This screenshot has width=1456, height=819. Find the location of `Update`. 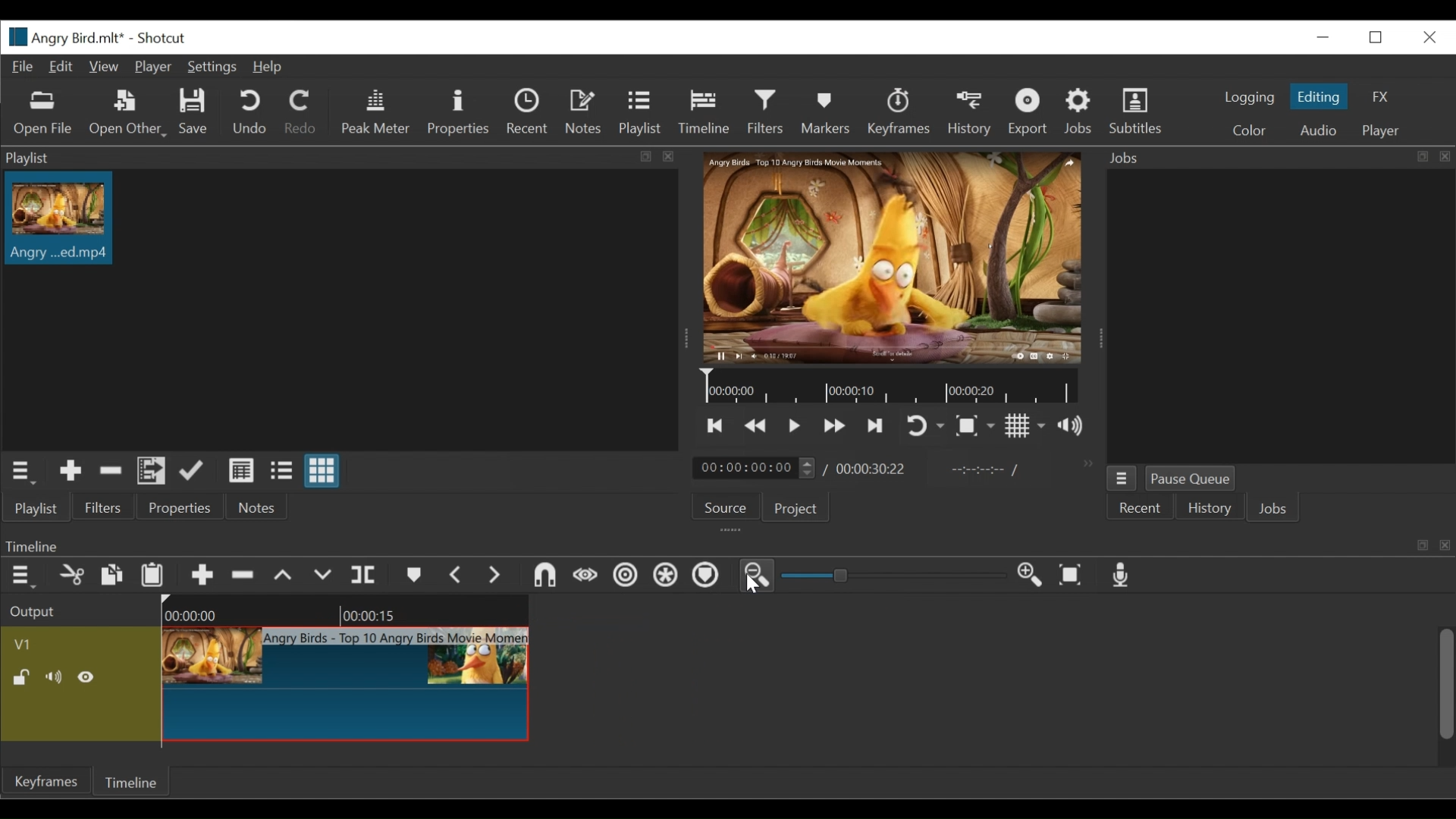

Update is located at coordinates (192, 471).